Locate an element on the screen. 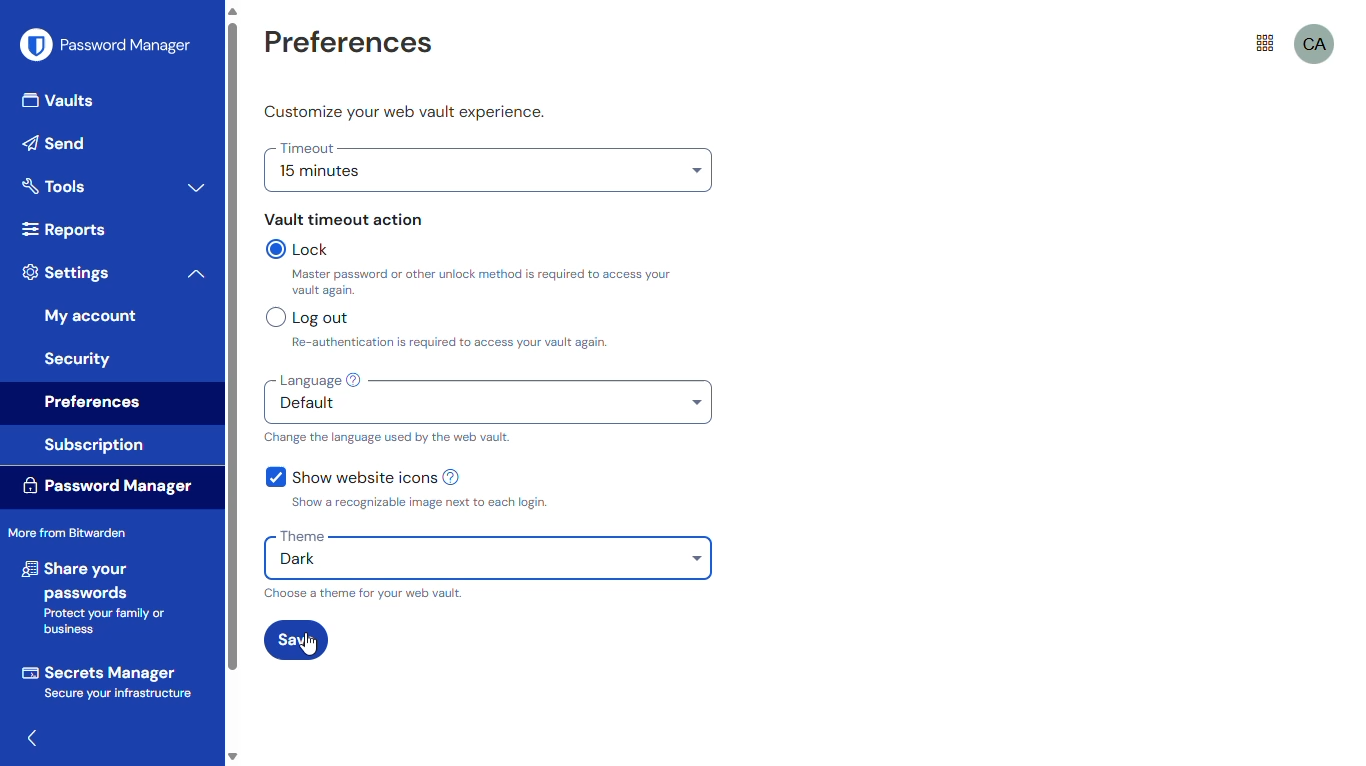 This screenshot has height=766, width=1366. CA is located at coordinates (1315, 45).